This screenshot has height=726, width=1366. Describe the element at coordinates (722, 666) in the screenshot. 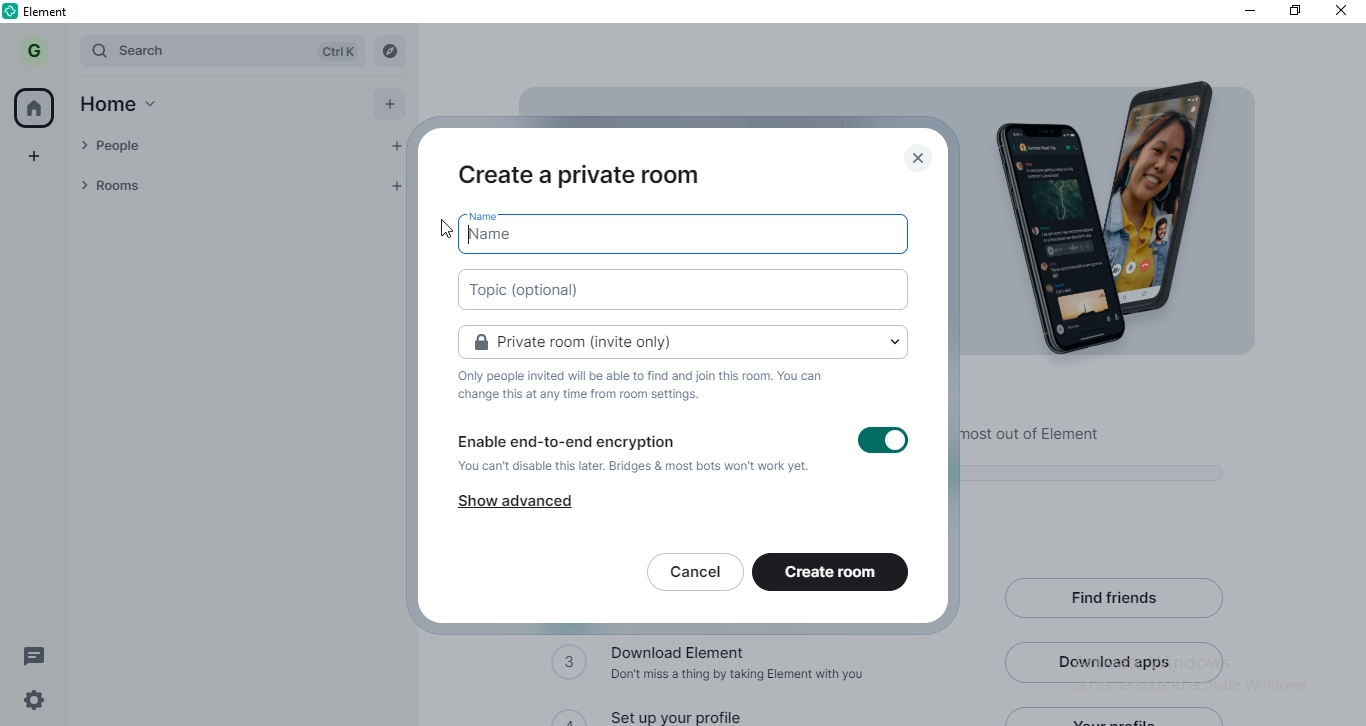

I see `download elements` at that location.